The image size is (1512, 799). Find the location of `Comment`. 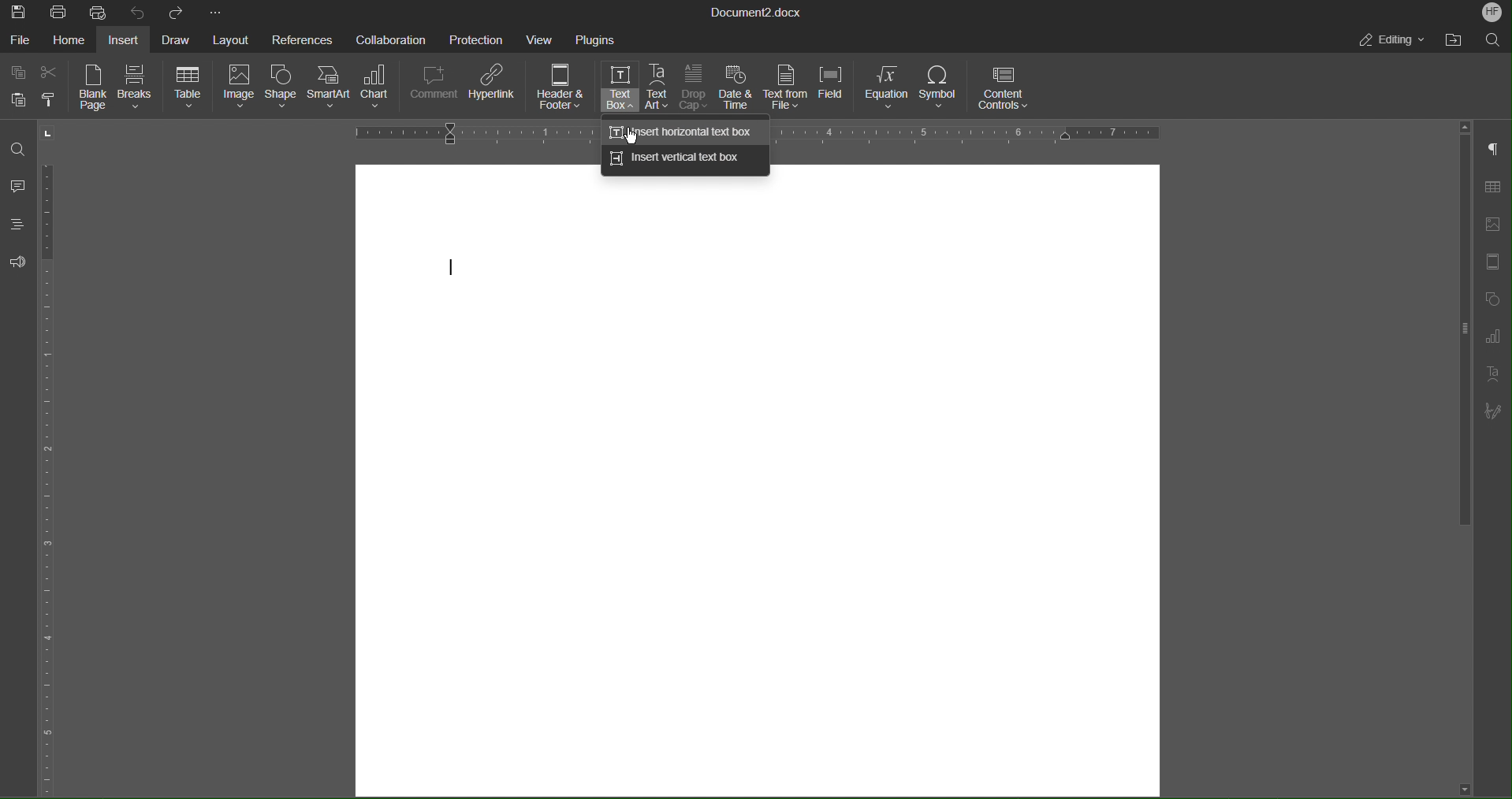

Comment is located at coordinates (434, 88).